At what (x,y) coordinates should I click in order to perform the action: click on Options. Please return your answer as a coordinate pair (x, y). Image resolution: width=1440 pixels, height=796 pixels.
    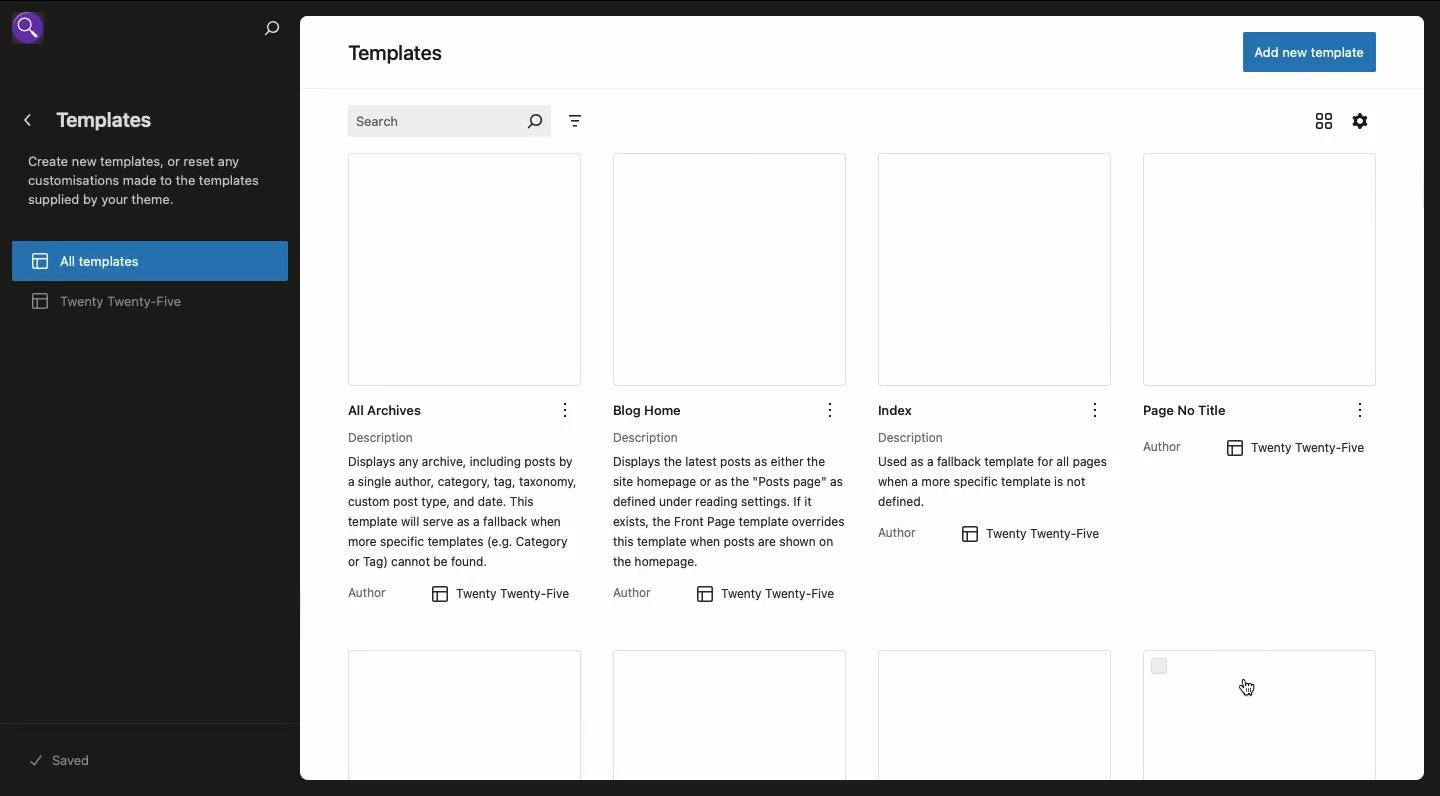
    Looking at the image, I should click on (1096, 409).